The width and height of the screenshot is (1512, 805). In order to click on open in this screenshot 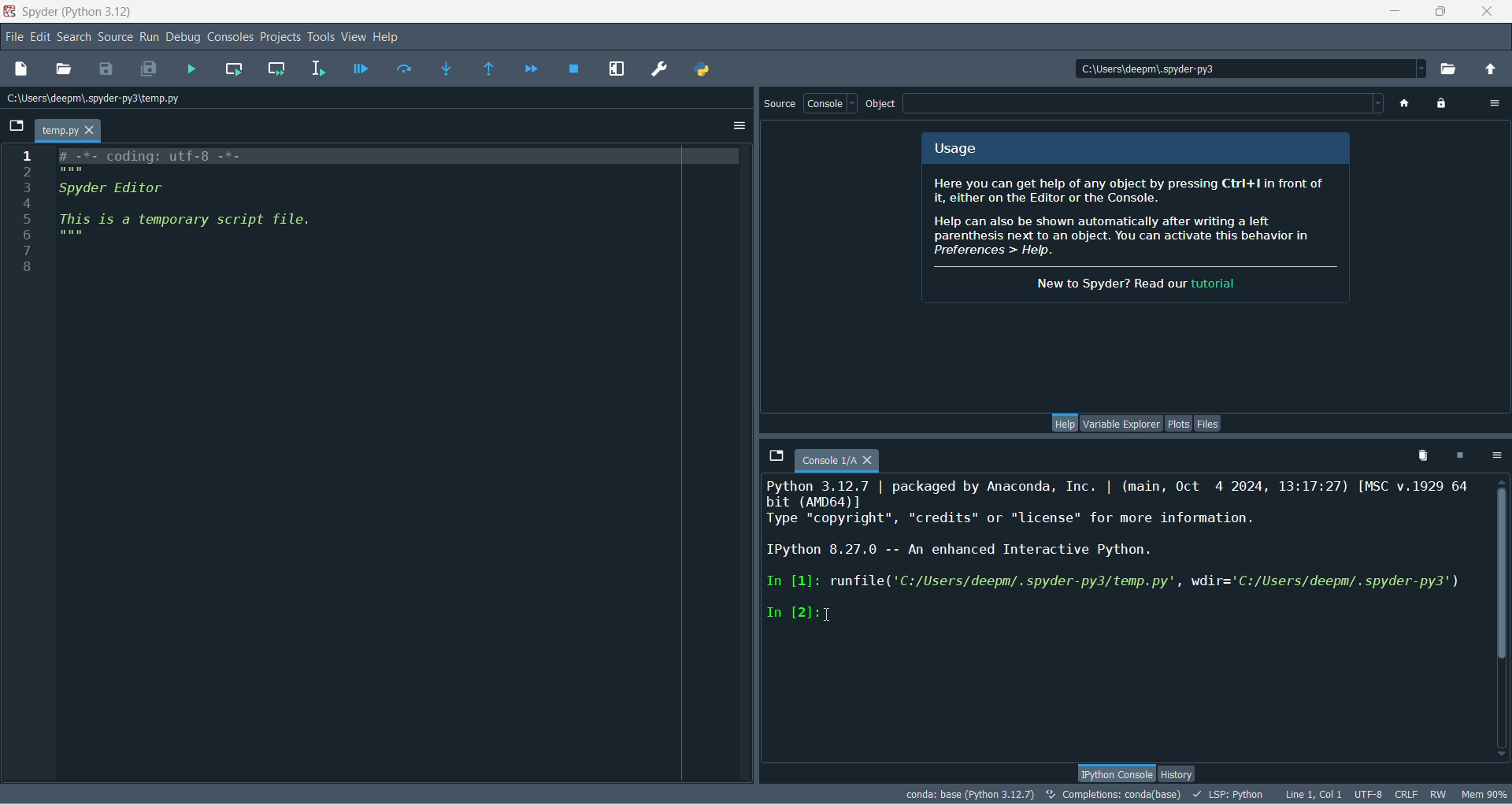, I will do `click(63, 69)`.